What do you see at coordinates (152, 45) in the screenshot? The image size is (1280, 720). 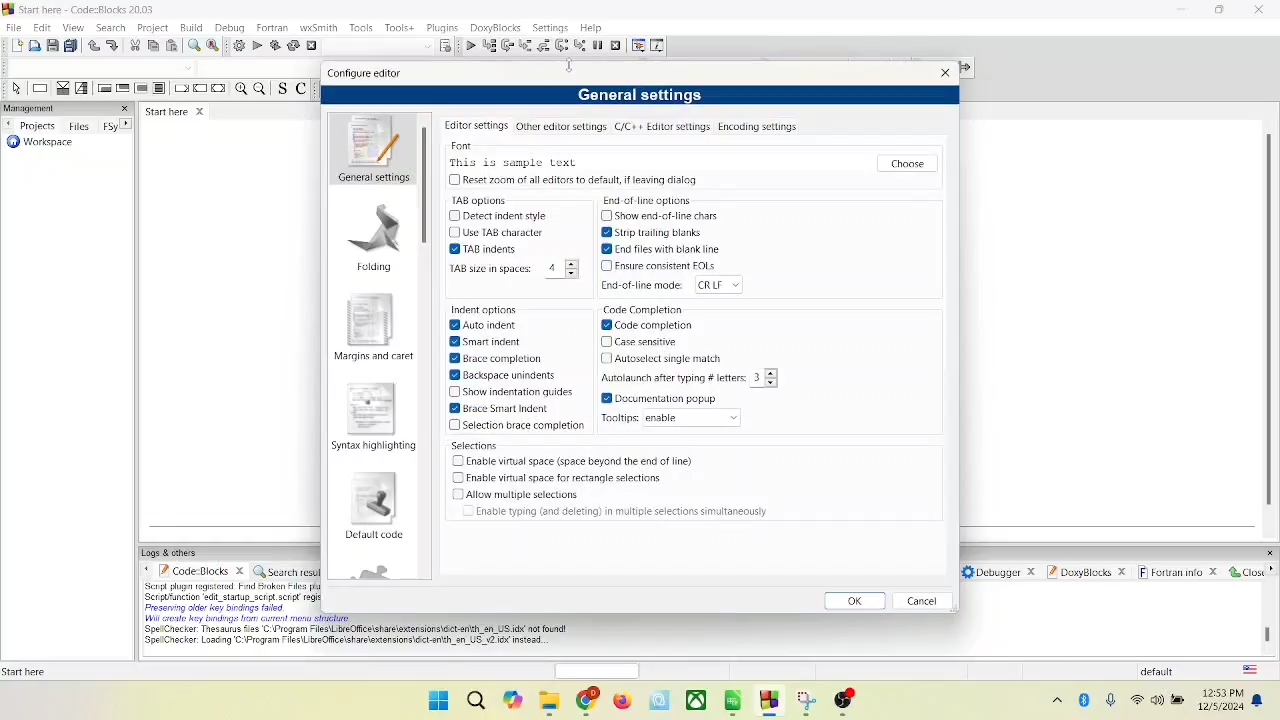 I see `copy` at bounding box center [152, 45].